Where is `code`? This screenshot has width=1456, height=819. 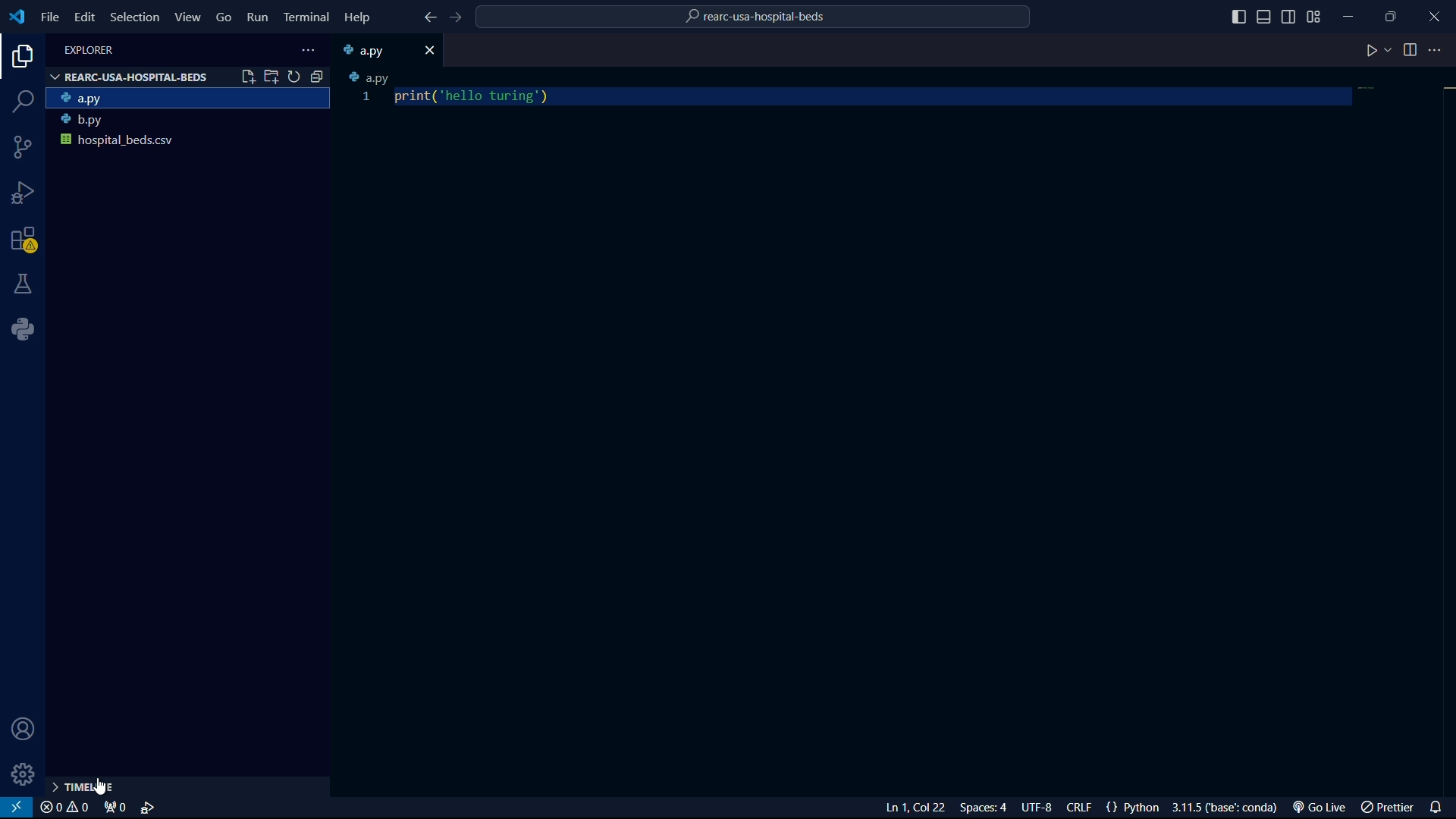 code is located at coordinates (475, 96).